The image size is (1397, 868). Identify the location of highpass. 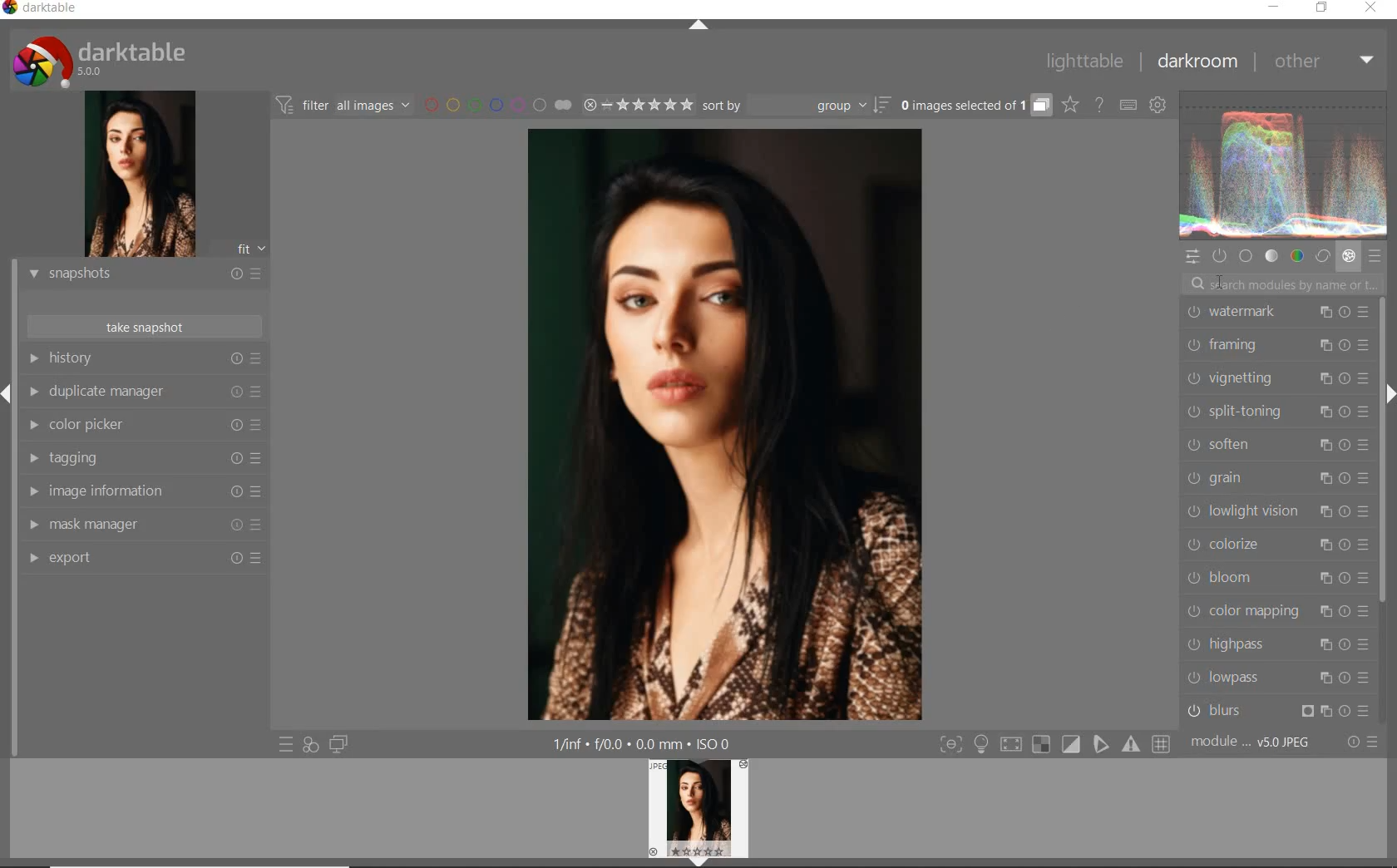
(1277, 645).